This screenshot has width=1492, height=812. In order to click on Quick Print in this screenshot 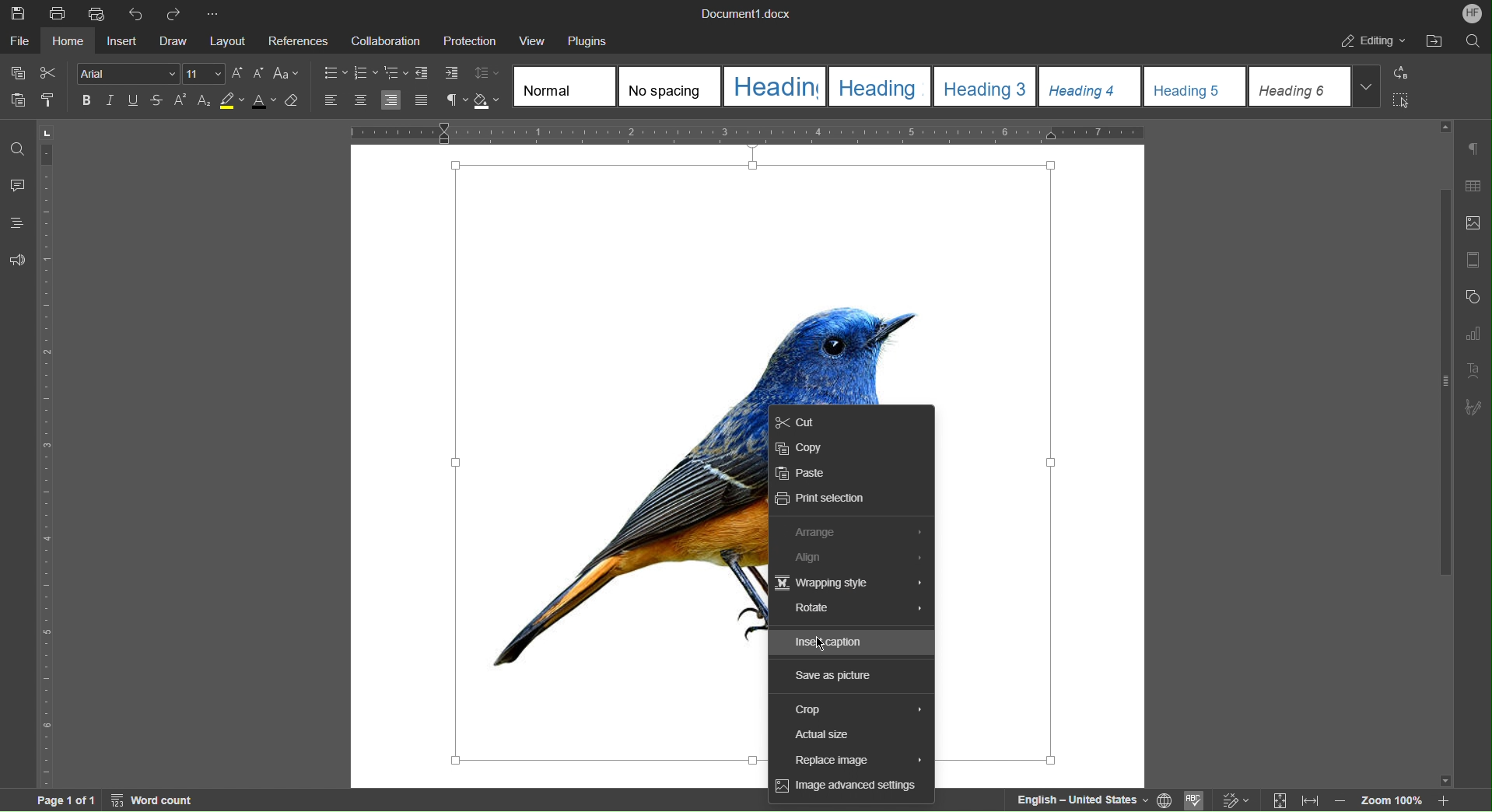, I will do `click(96, 12)`.